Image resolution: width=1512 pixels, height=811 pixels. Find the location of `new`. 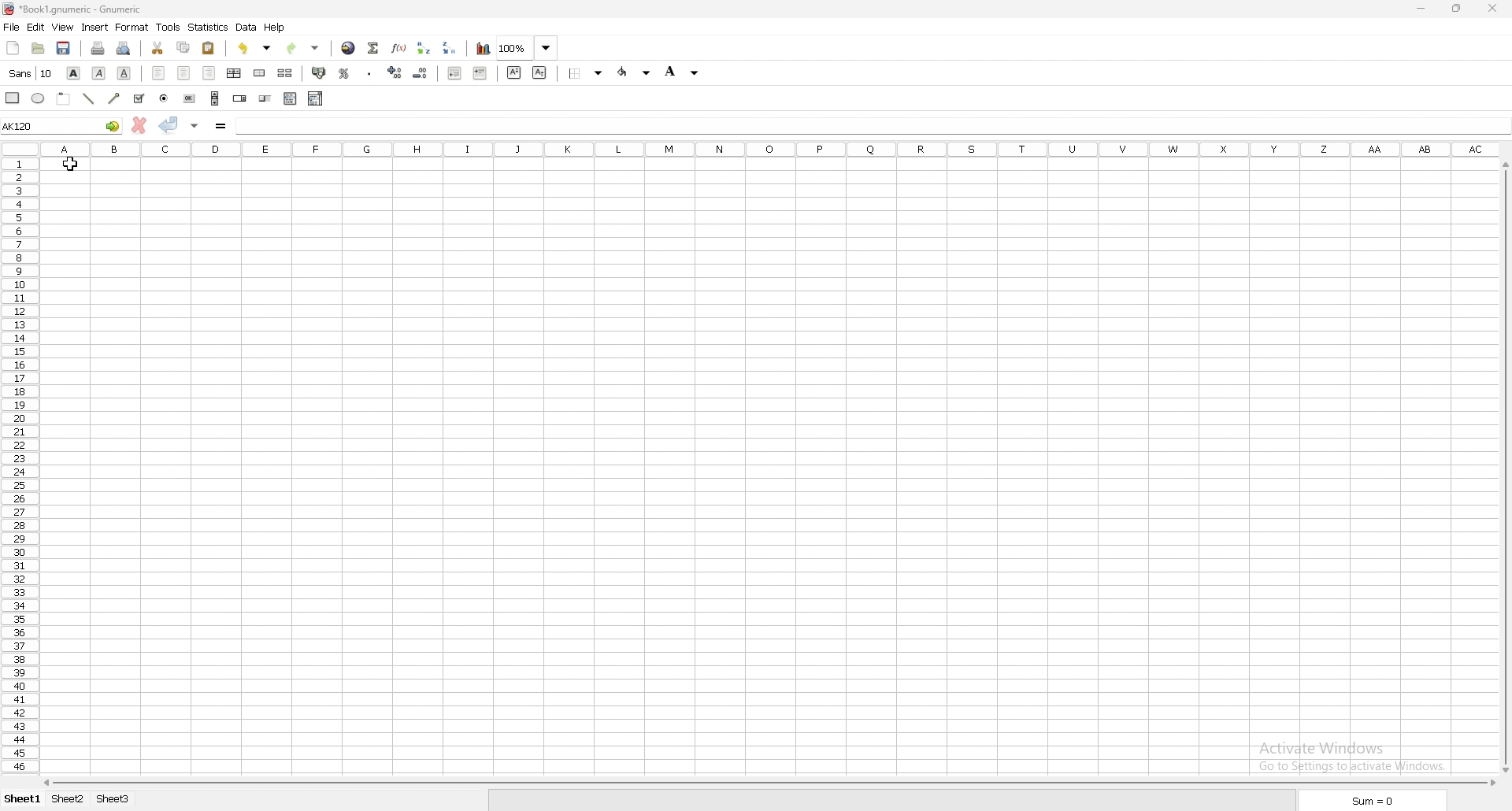

new is located at coordinates (13, 48).